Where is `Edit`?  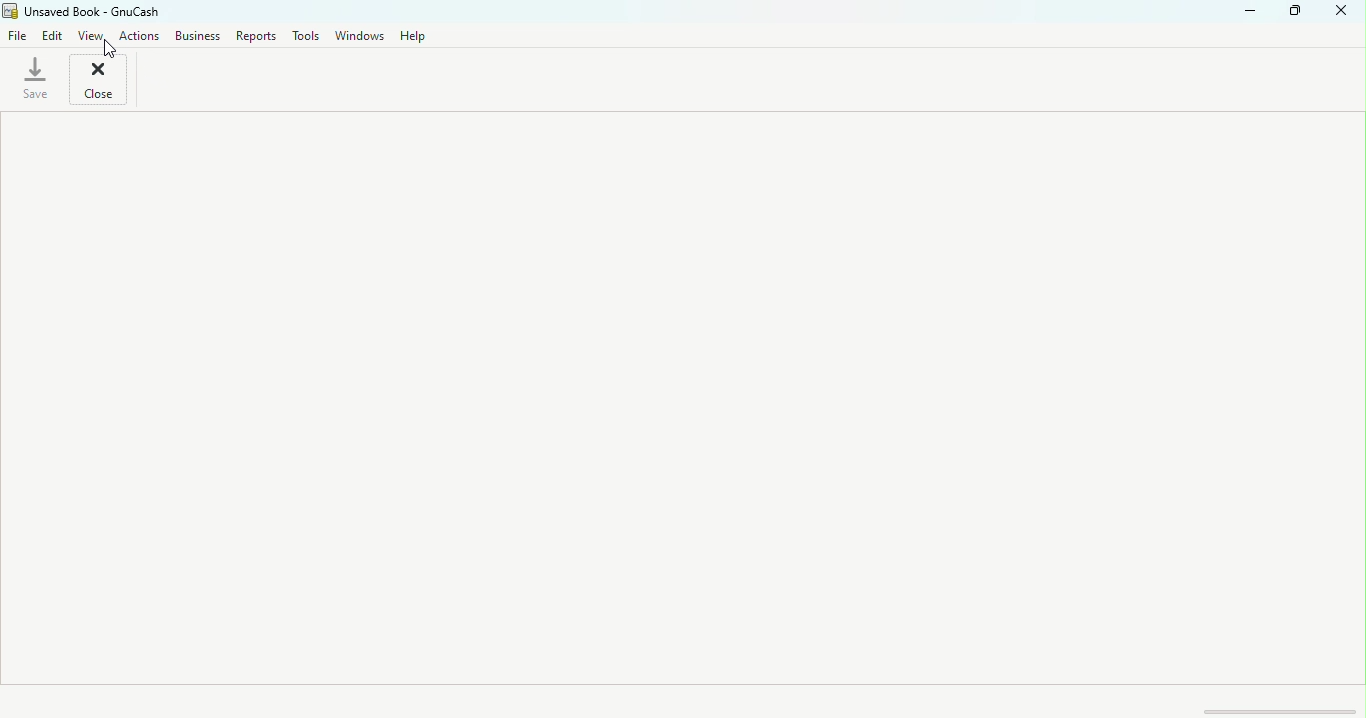
Edit is located at coordinates (52, 37).